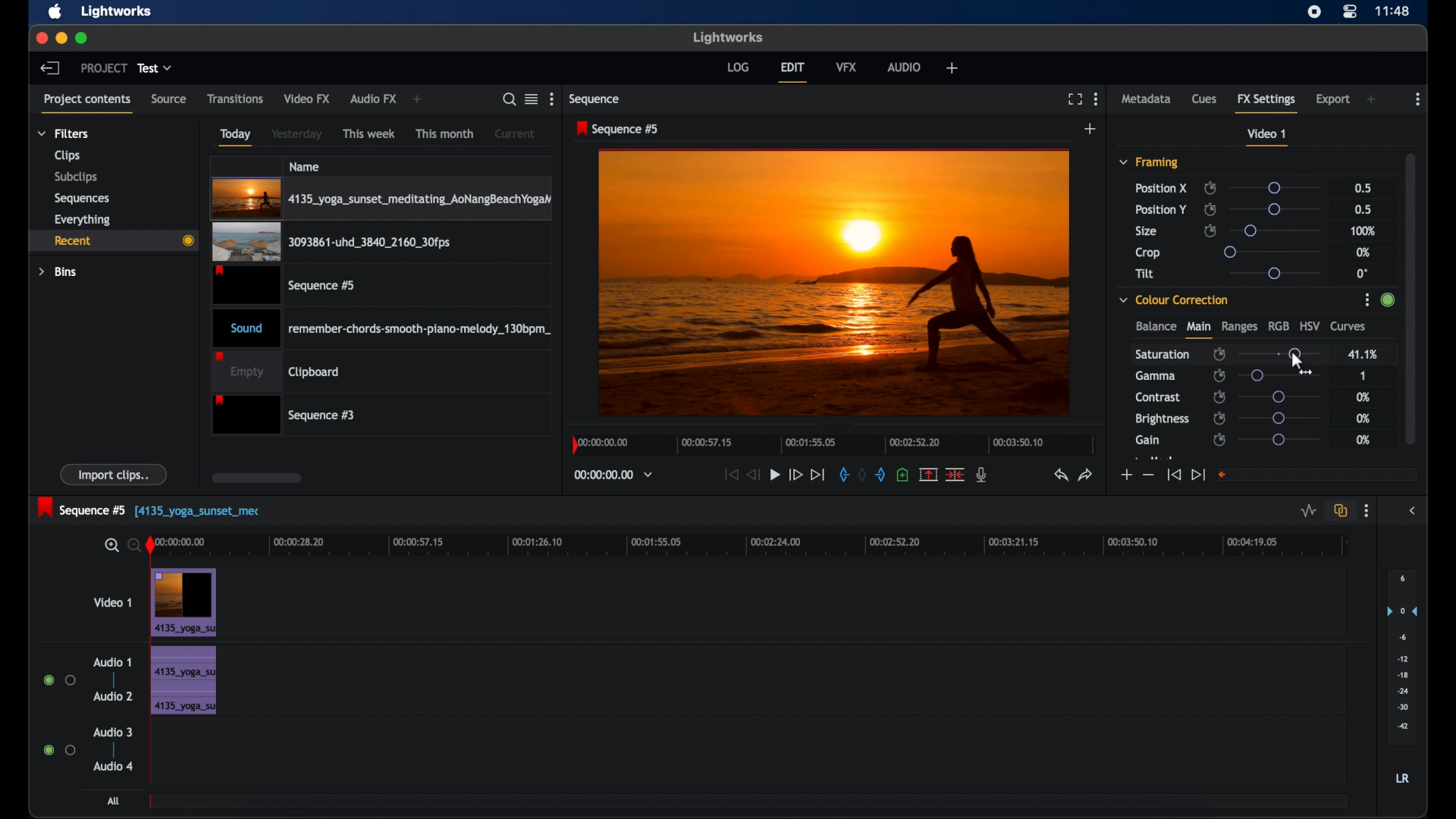 The width and height of the screenshot is (1456, 819). What do you see at coordinates (370, 133) in the screenshot?
I see `this week` at bounding box center [370, 133].